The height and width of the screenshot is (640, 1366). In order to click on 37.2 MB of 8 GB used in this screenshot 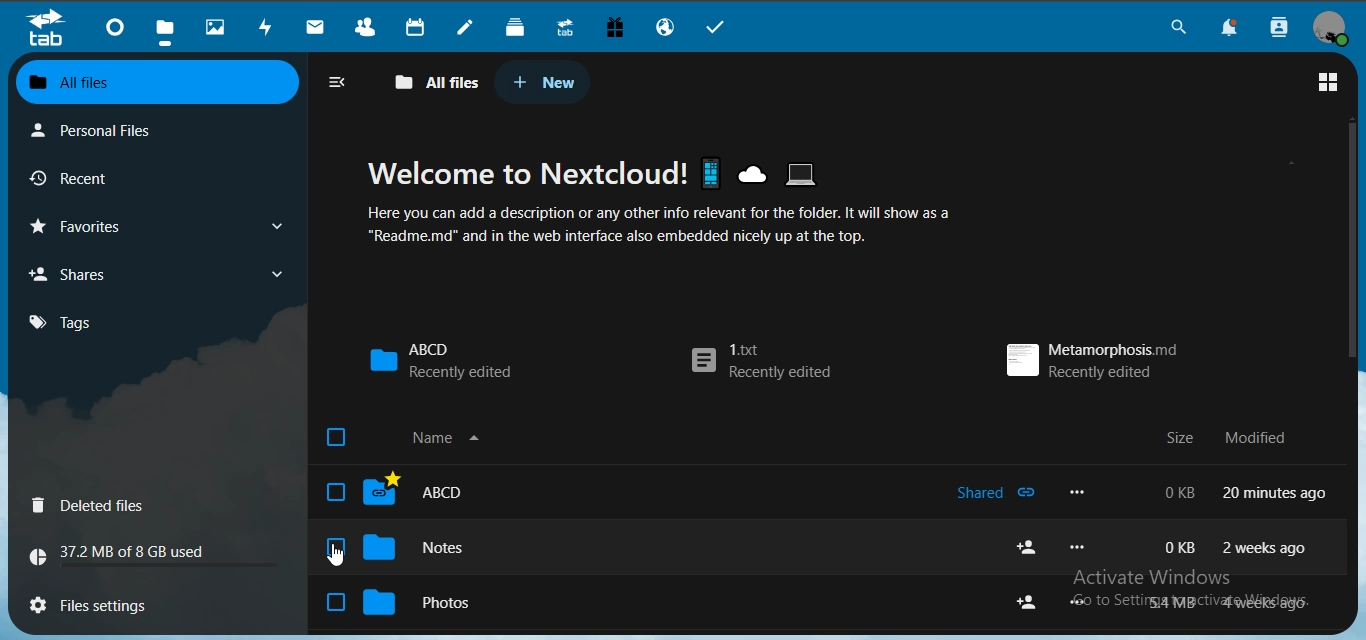, I will do `click(158, 558)`.